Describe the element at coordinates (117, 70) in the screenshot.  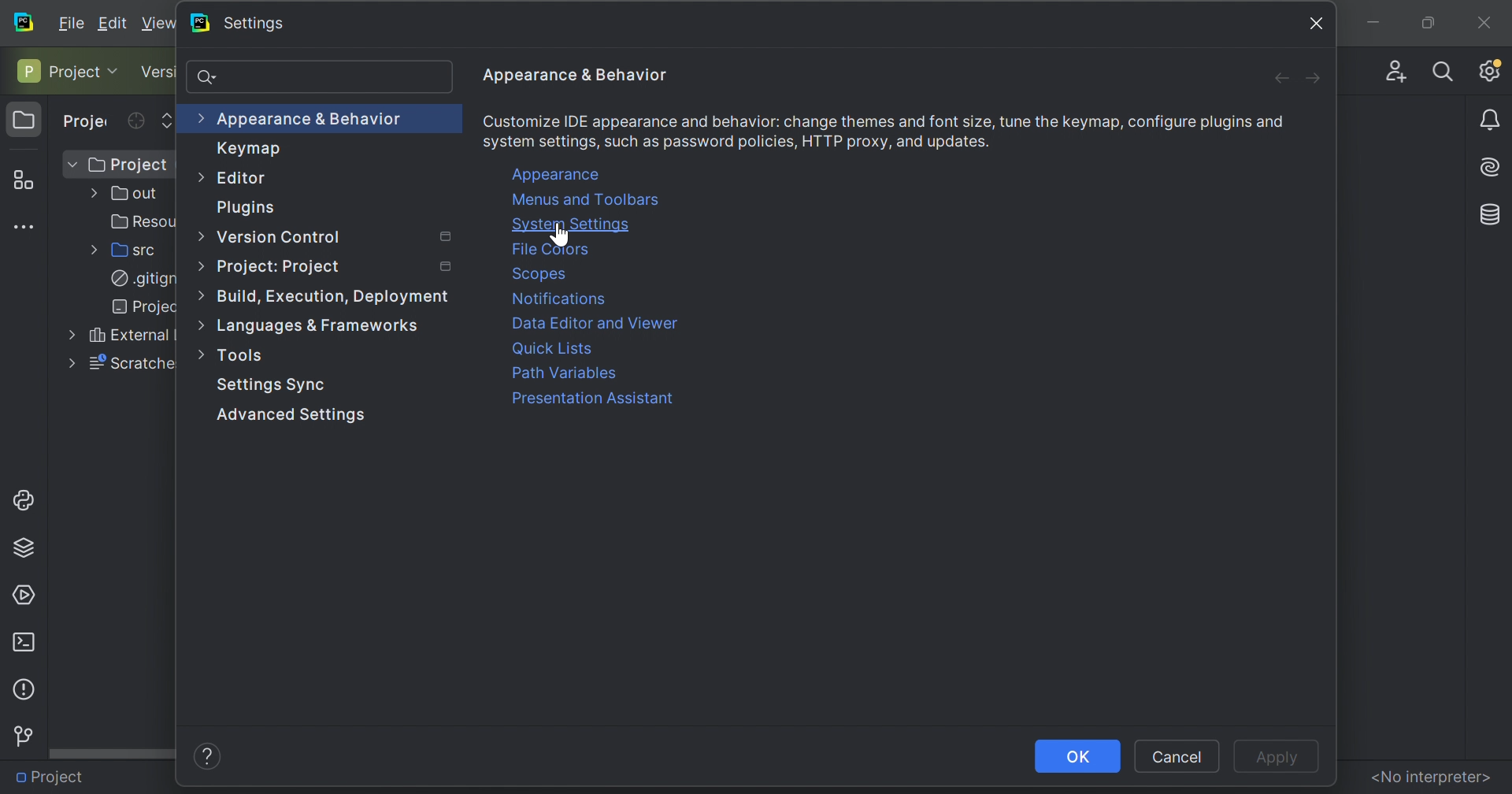
I see `Drop Down` at that location.